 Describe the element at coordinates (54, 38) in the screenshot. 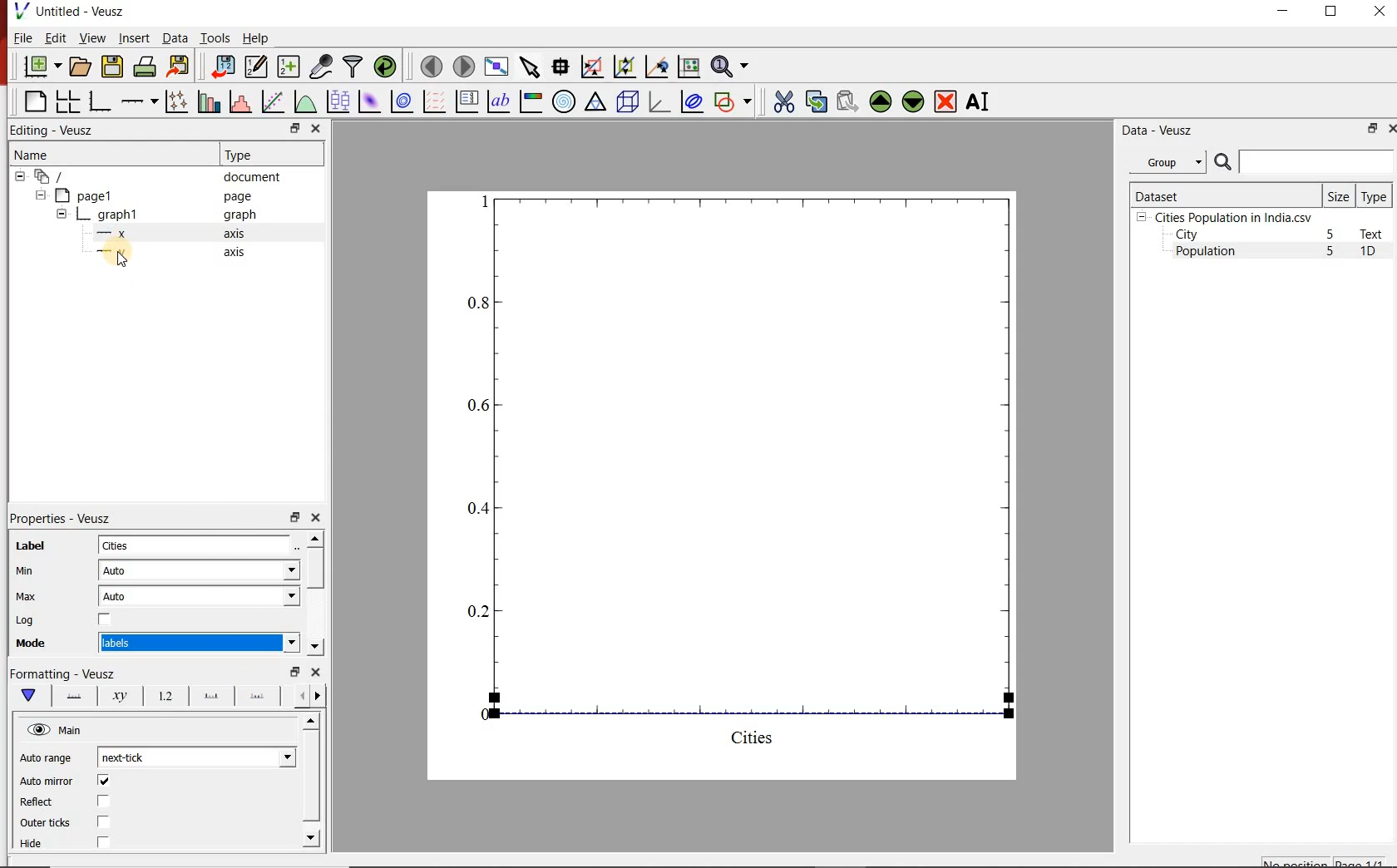

I see `Edit` at that location.